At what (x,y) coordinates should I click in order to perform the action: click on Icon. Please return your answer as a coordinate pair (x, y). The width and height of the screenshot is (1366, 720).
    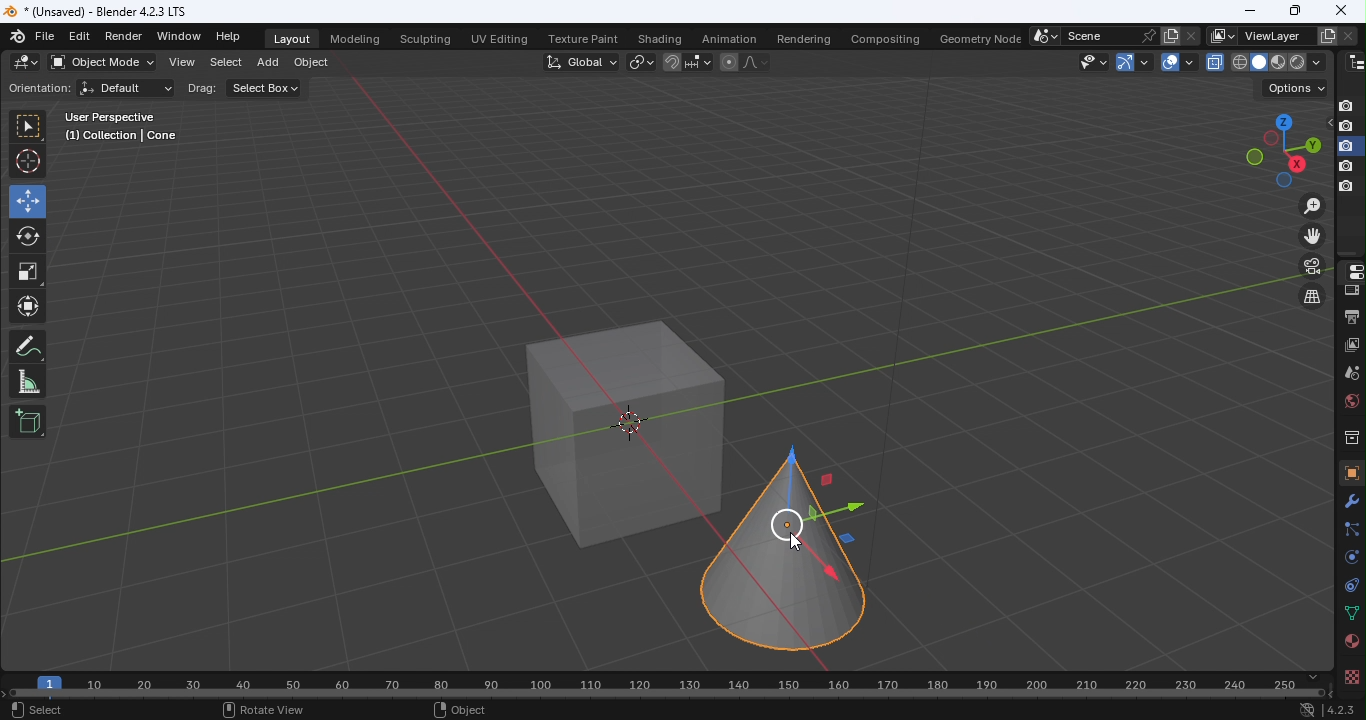
    Looking at the image, I should click on (19, 35).